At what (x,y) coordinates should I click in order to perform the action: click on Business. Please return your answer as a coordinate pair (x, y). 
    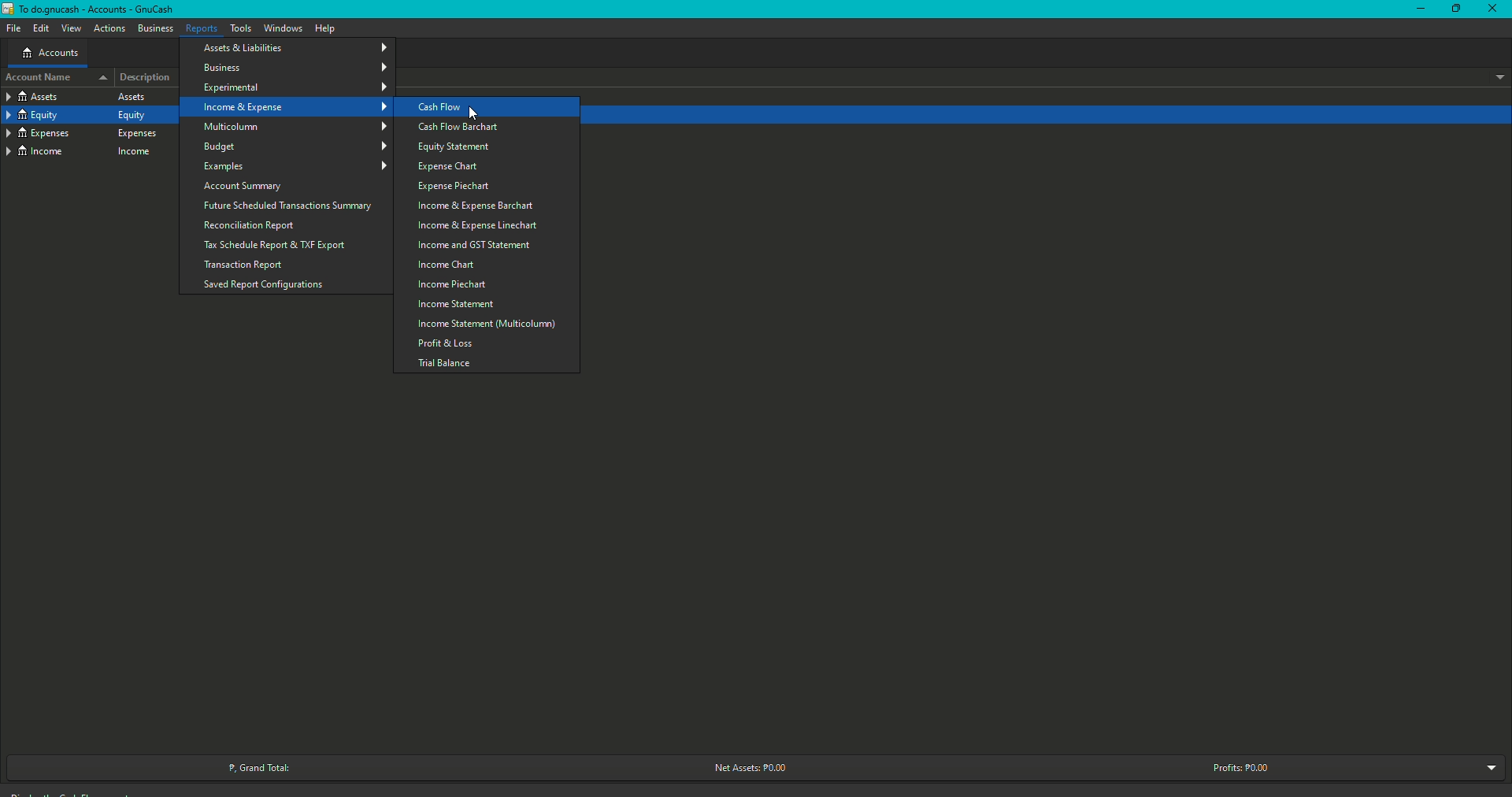
    Looking at the image, I should click on (296, 68).